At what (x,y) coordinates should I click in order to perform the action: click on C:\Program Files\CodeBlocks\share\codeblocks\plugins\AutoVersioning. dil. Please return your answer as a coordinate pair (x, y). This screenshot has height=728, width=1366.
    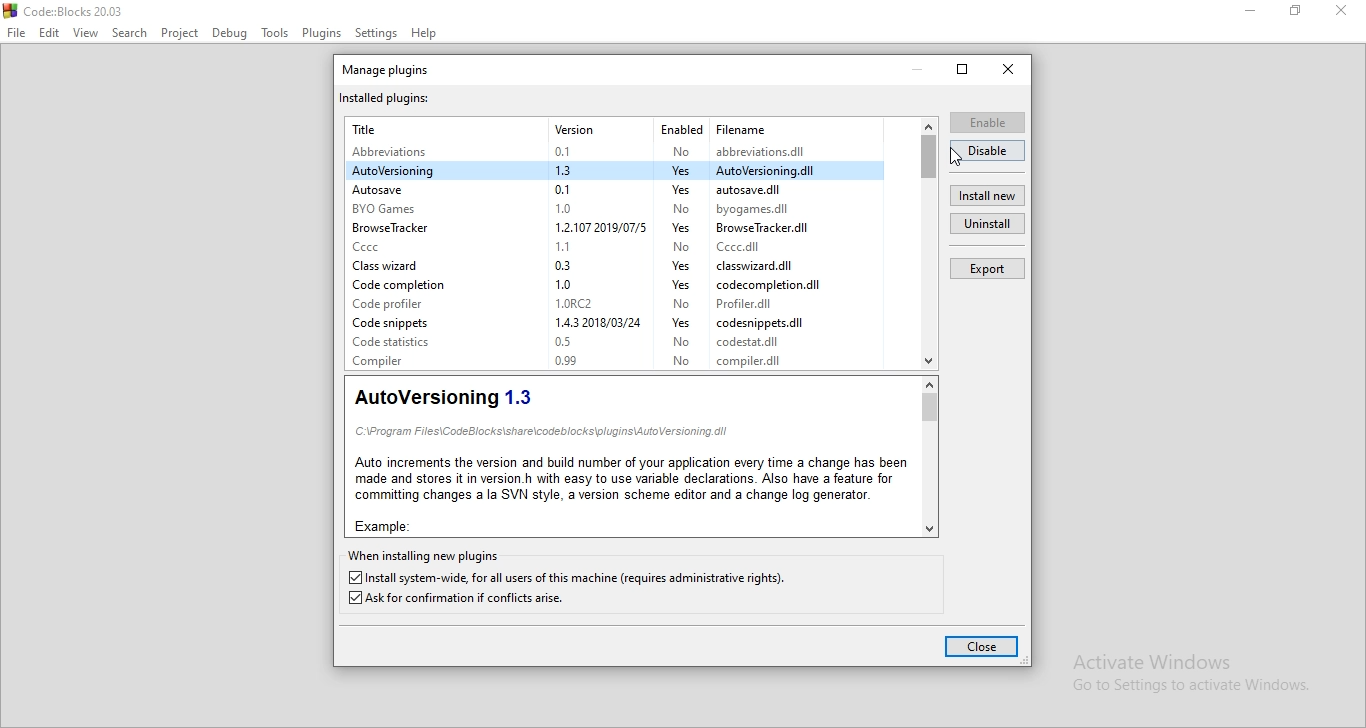
    Looking at the image, I should click on (542, 432).